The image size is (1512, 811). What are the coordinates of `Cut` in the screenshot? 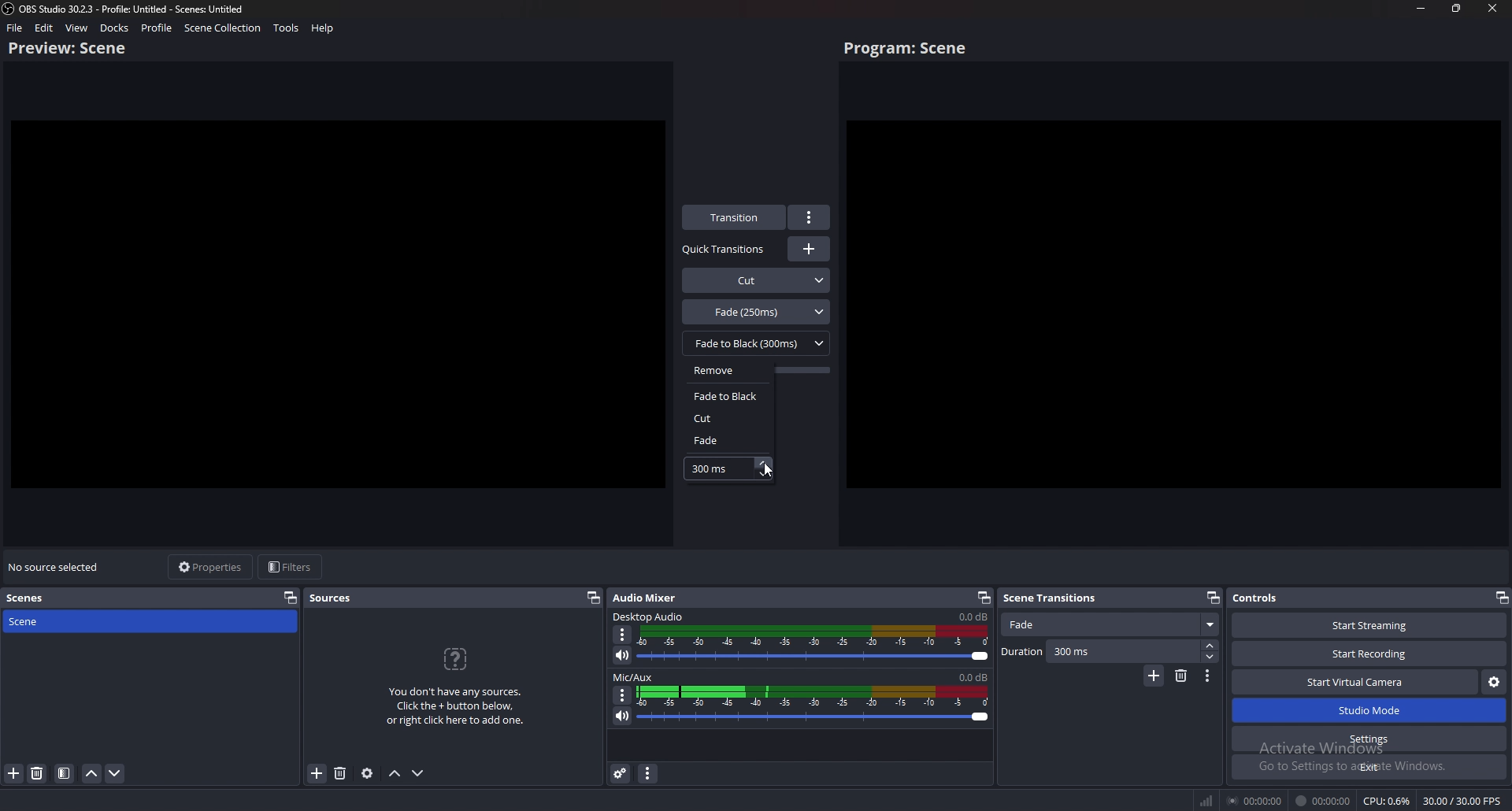 It's located at (757, 279).